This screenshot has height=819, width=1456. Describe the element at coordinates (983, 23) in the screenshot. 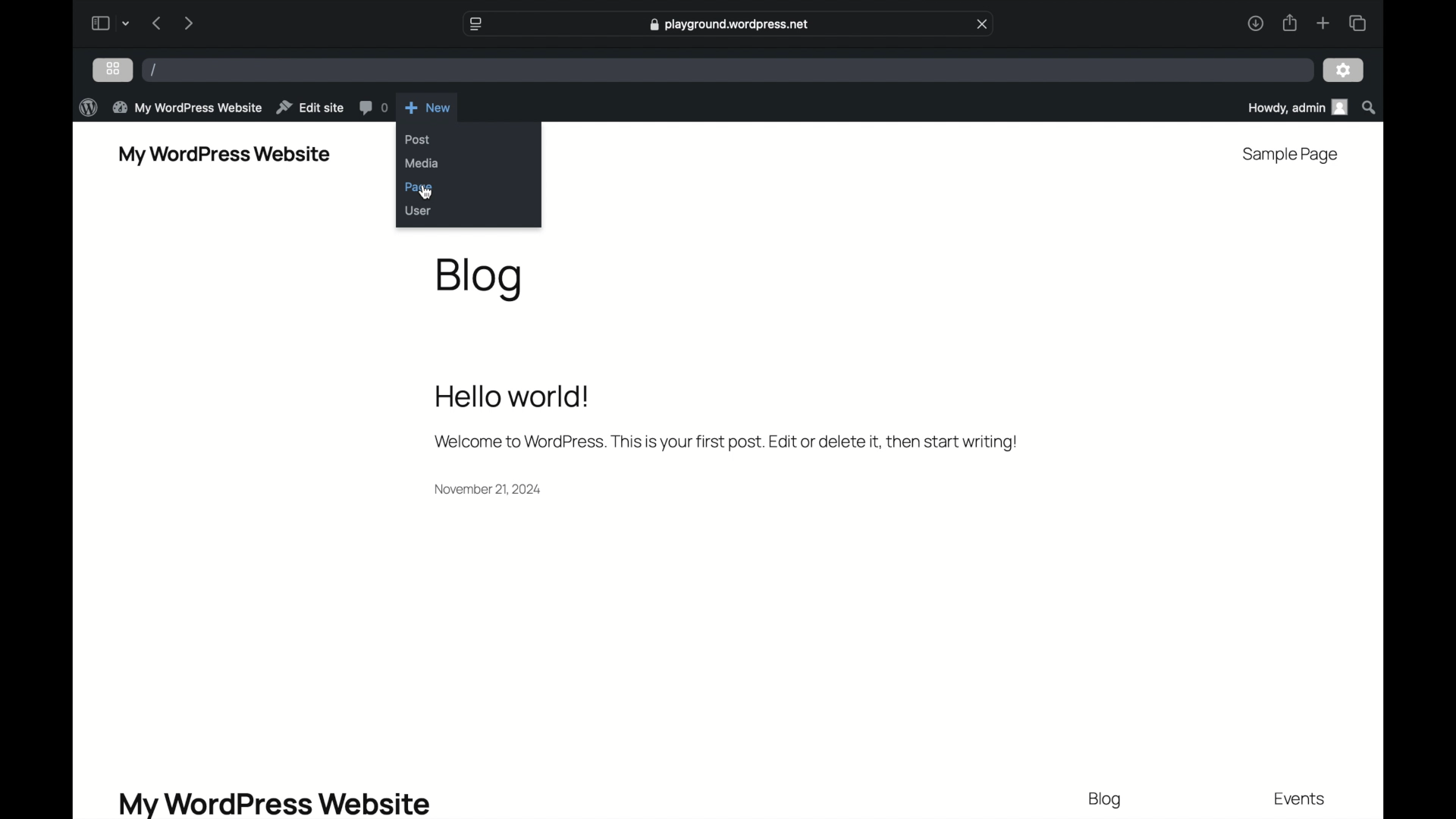

I see `close` at that location.